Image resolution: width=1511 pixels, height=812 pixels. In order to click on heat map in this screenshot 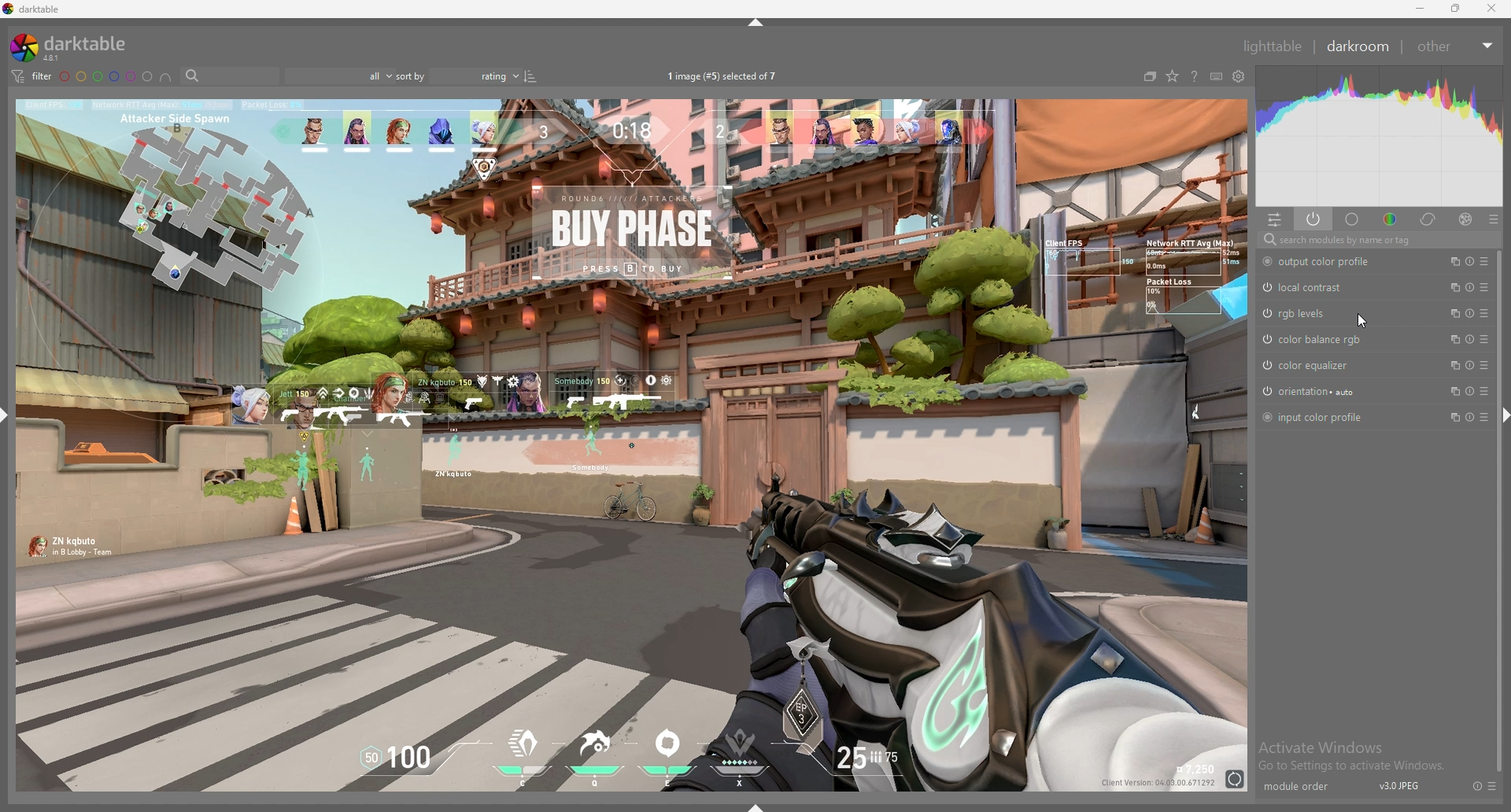, I will do `click(1378, 135)`.